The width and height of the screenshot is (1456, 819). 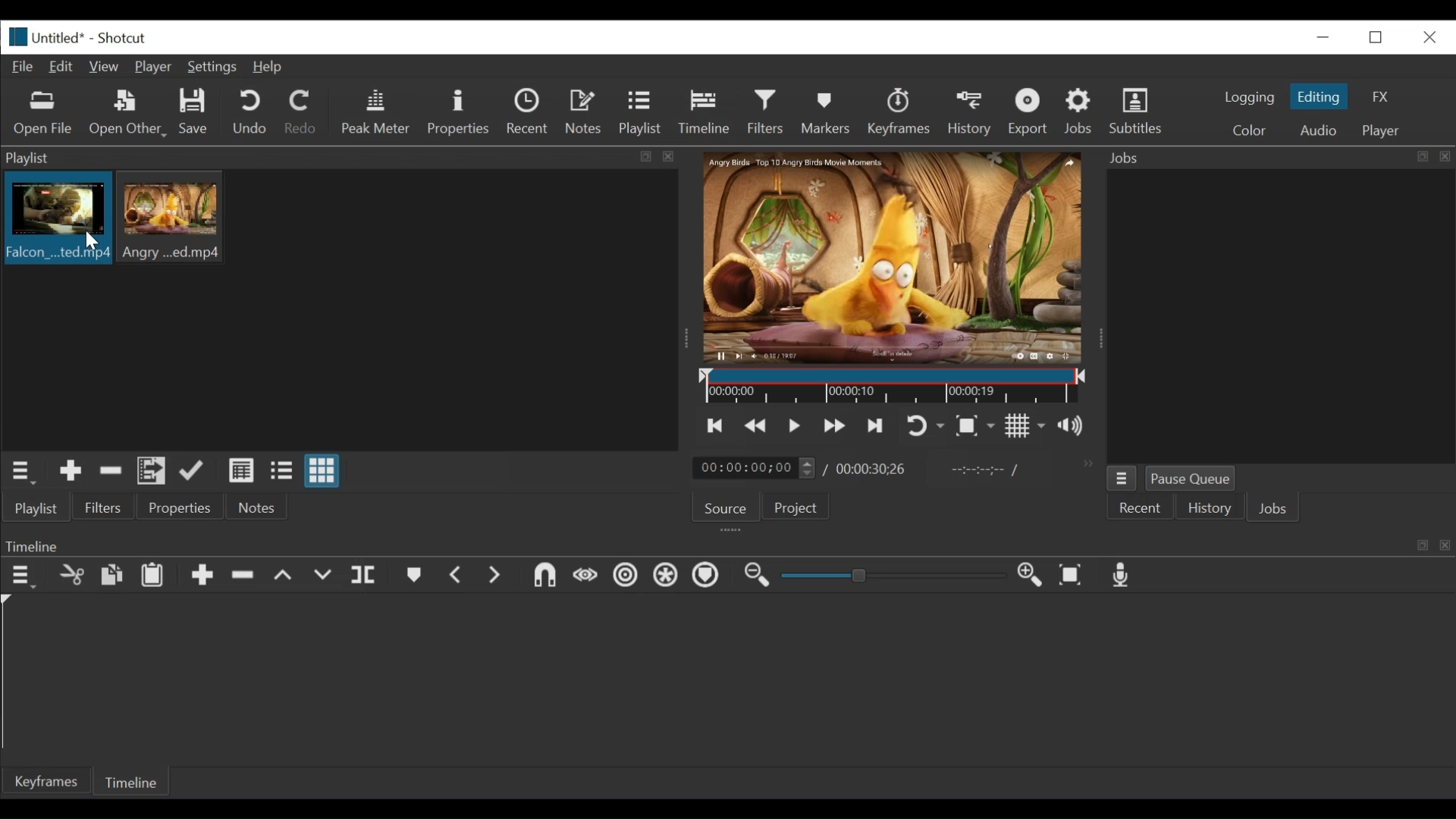 What do you see at coordinates (756, 426) in the screenshot?
I see `play quickly backward` at bounding box center [756, 426].